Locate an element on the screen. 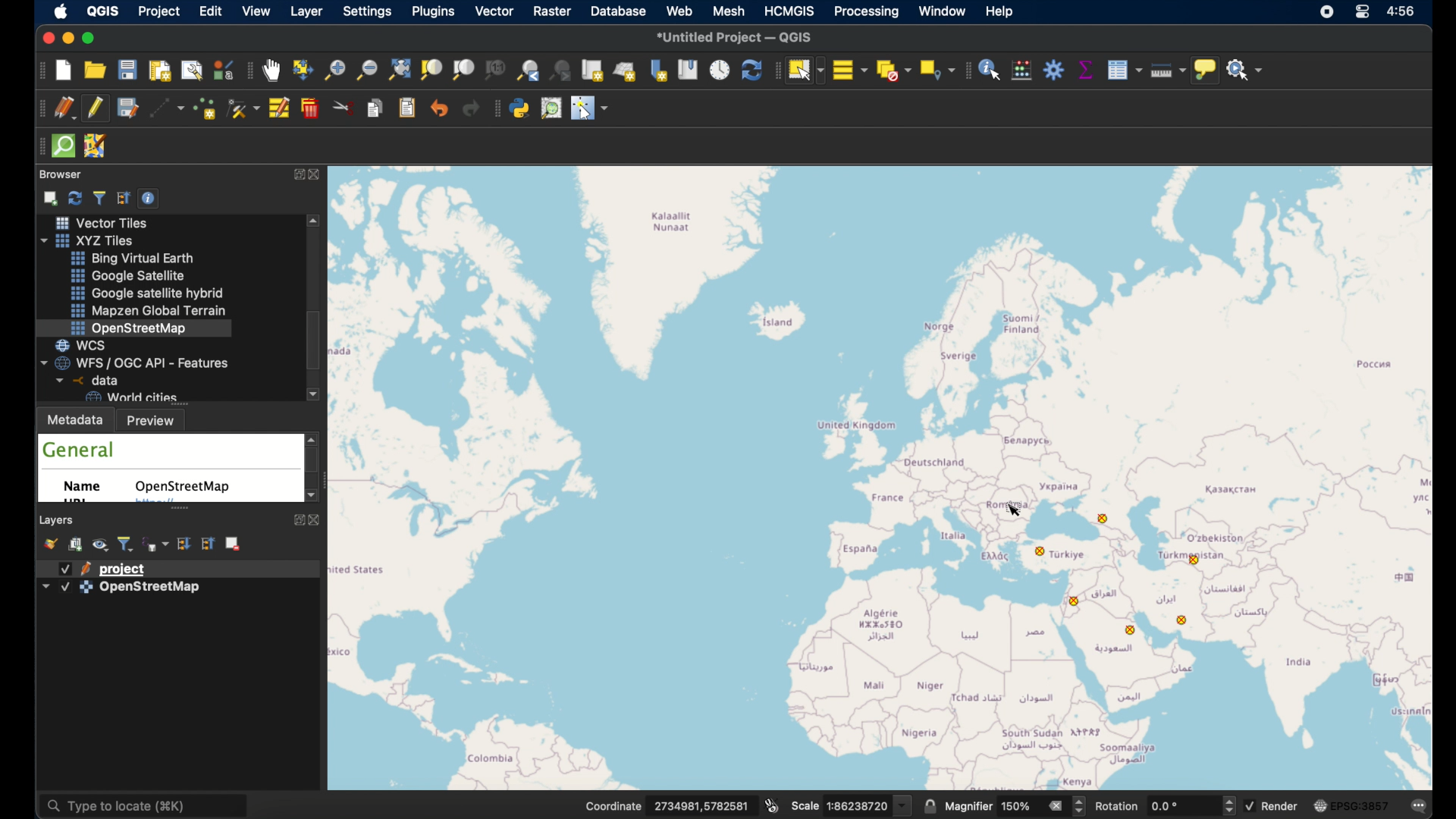 This screenshot has height=819, width=1456. rotation is located at coordinates (1119, 806).